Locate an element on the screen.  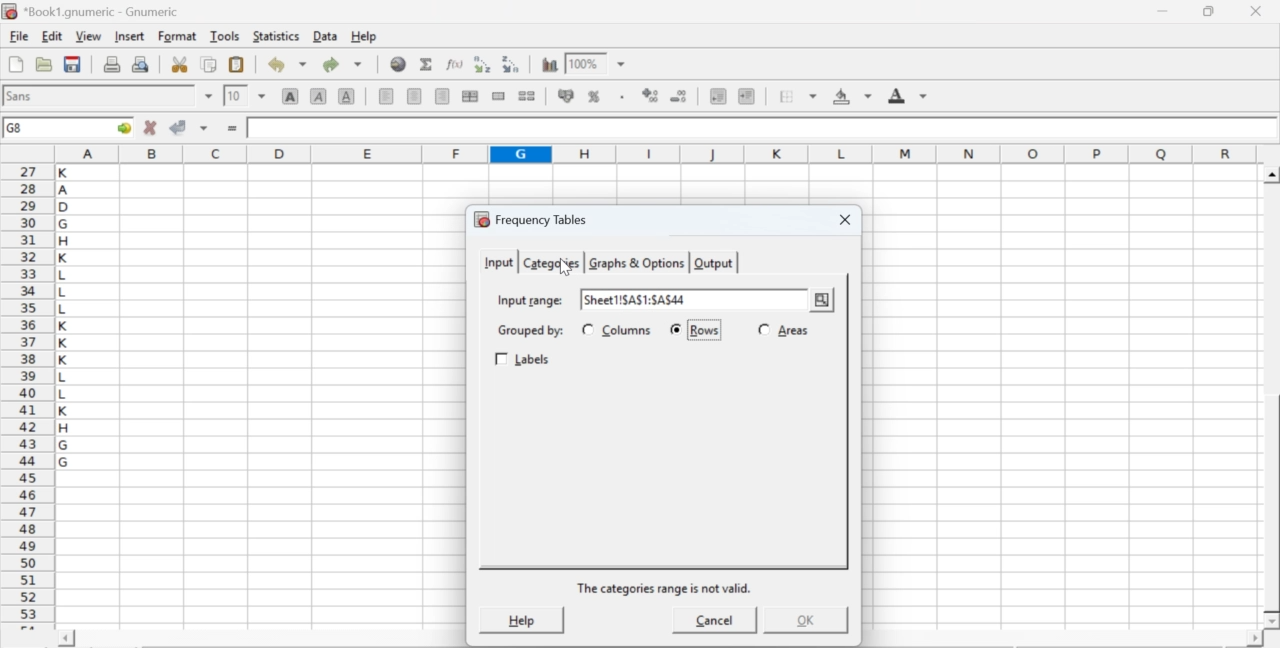
drop down is located at coordinates (262, 95).